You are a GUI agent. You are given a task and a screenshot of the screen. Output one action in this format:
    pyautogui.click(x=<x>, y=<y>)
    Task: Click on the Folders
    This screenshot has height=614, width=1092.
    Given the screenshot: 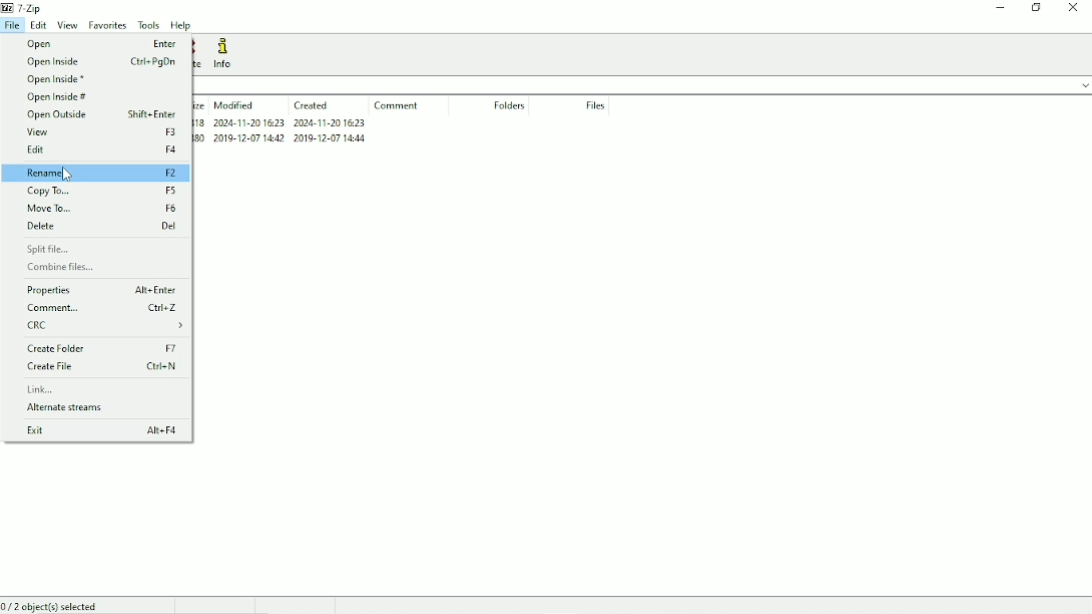 What is the action you would take?
    pyautogui.click(x=509, y=106)
    